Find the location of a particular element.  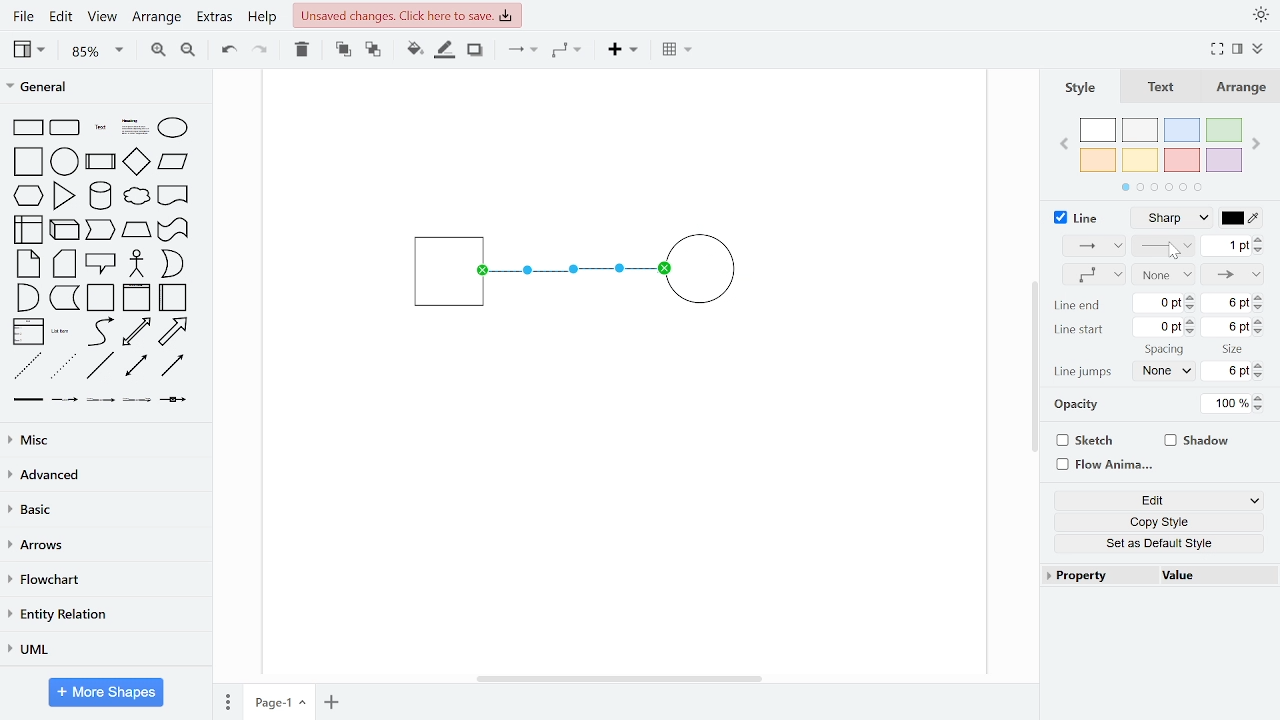

connector  with 2 labels is located at coordinates (102, 400).